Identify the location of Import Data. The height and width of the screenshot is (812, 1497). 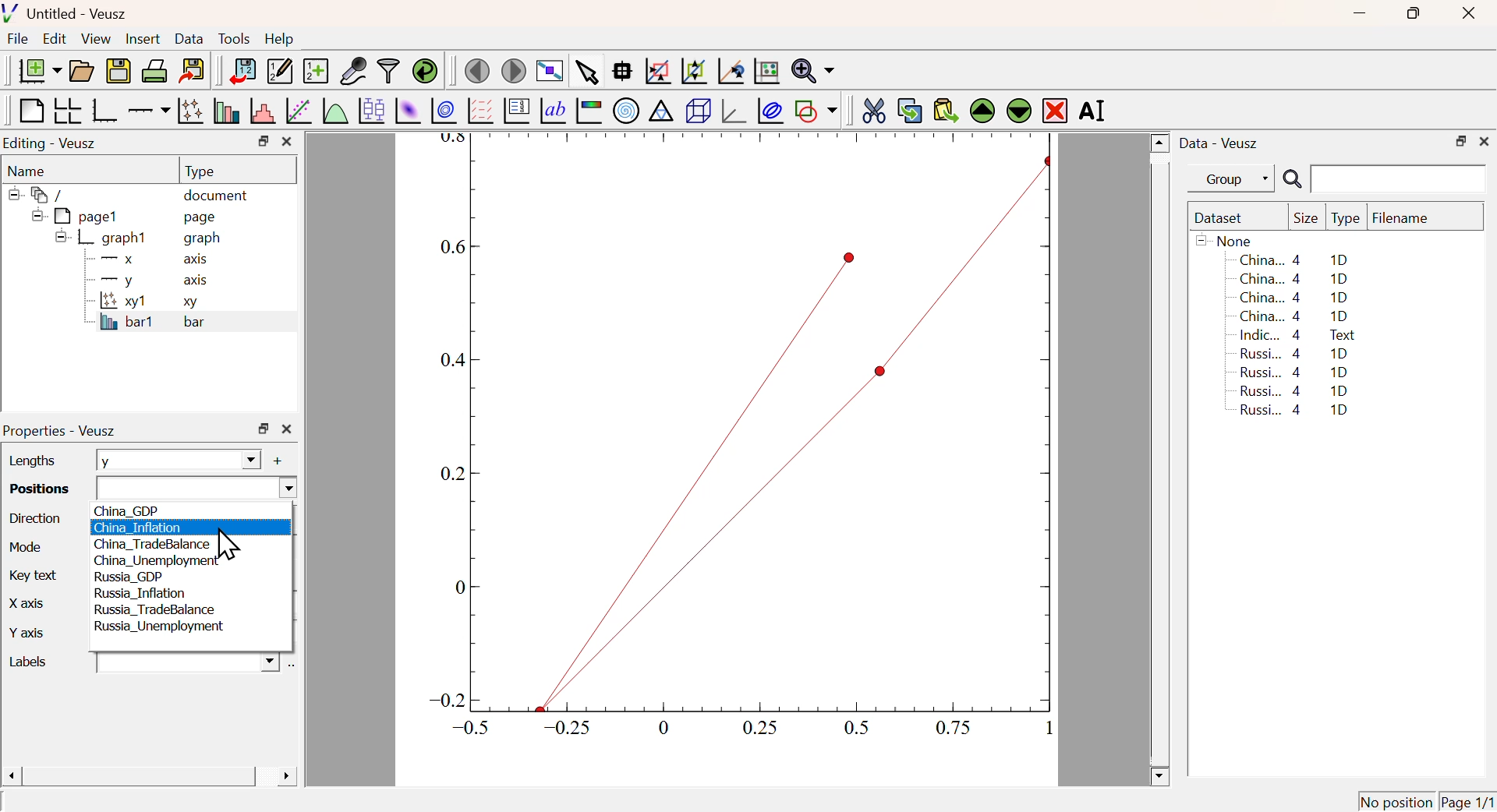
(242, 71).